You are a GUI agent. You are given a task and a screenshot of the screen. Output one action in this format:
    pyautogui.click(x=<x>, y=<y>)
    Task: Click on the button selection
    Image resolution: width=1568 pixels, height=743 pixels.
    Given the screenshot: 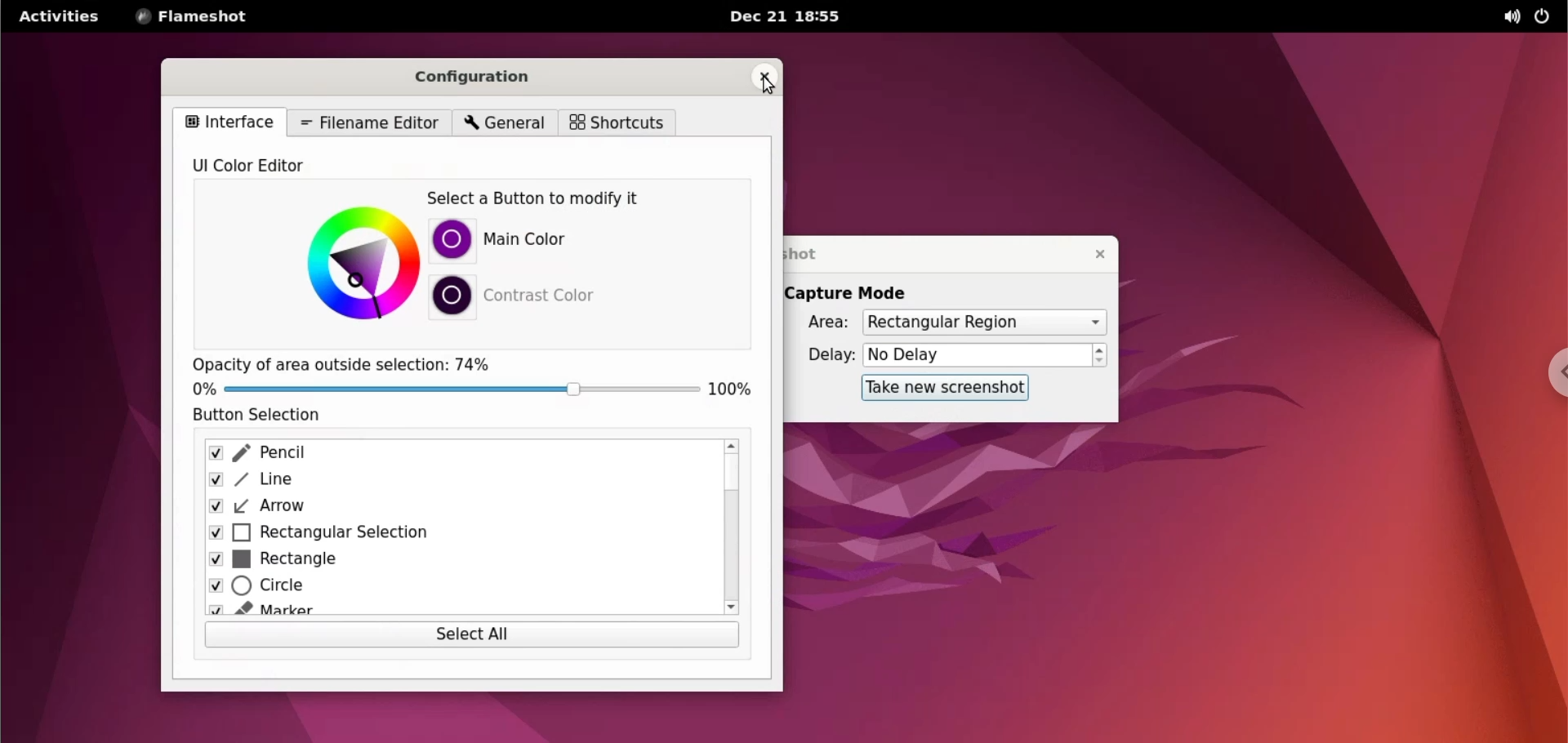 What is the action you would take?
    pyautogui.click(x=273, y=416)
    